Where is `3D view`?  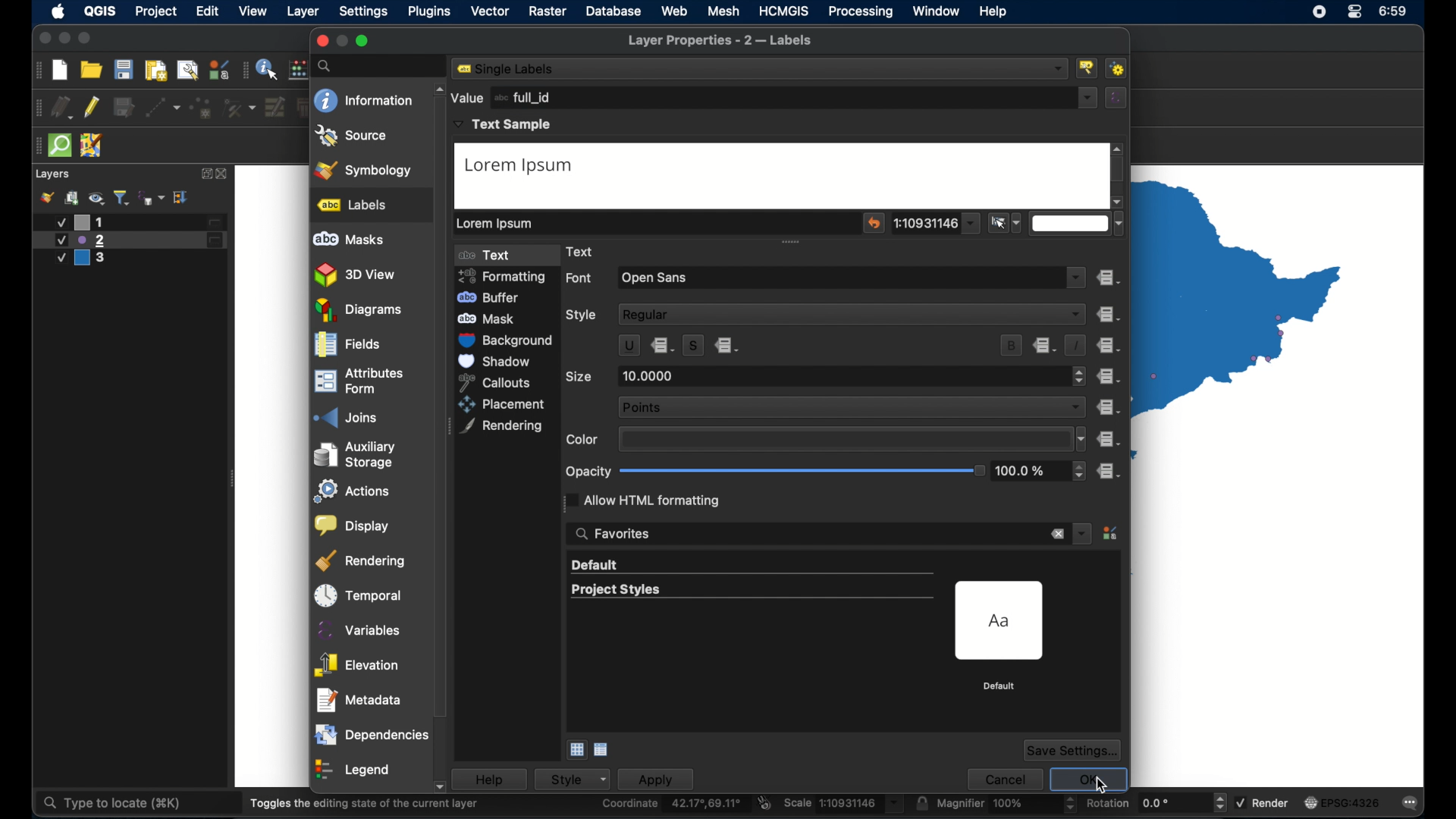
3D view is located at coordinates (357, 275).